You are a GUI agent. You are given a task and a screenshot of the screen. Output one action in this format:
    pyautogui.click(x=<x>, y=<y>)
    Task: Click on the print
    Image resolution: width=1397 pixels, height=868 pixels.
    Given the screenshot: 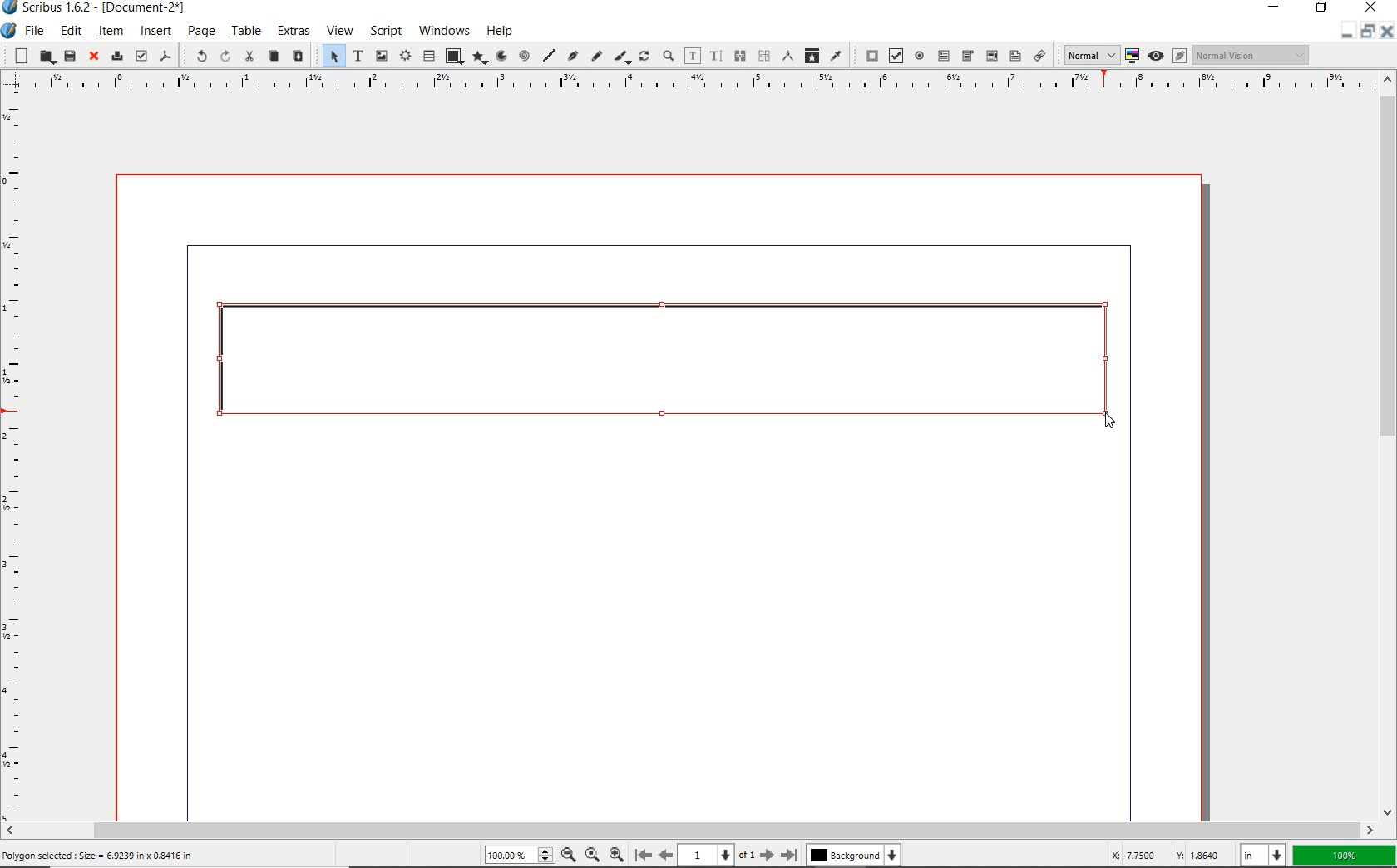 What is the action you would take?
    pyautogui.click(x=116, y=56)
    